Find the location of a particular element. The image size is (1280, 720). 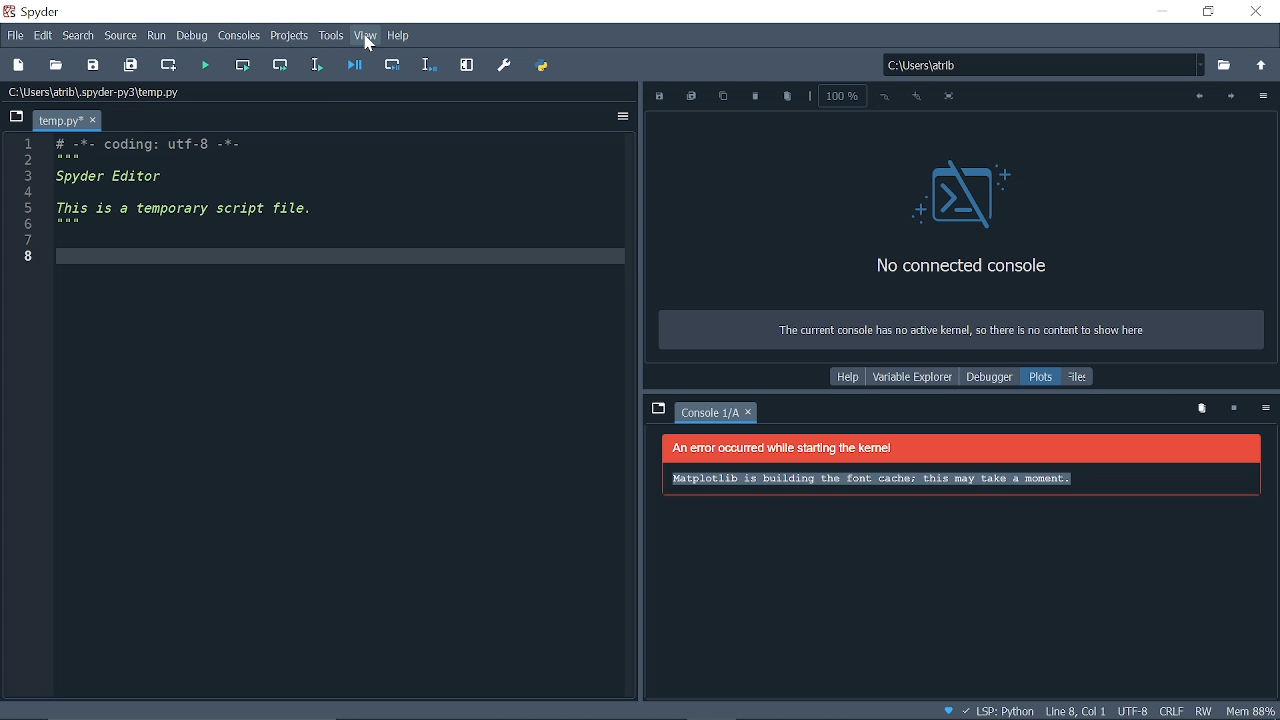

Save files is located at coordinates (94, 64).